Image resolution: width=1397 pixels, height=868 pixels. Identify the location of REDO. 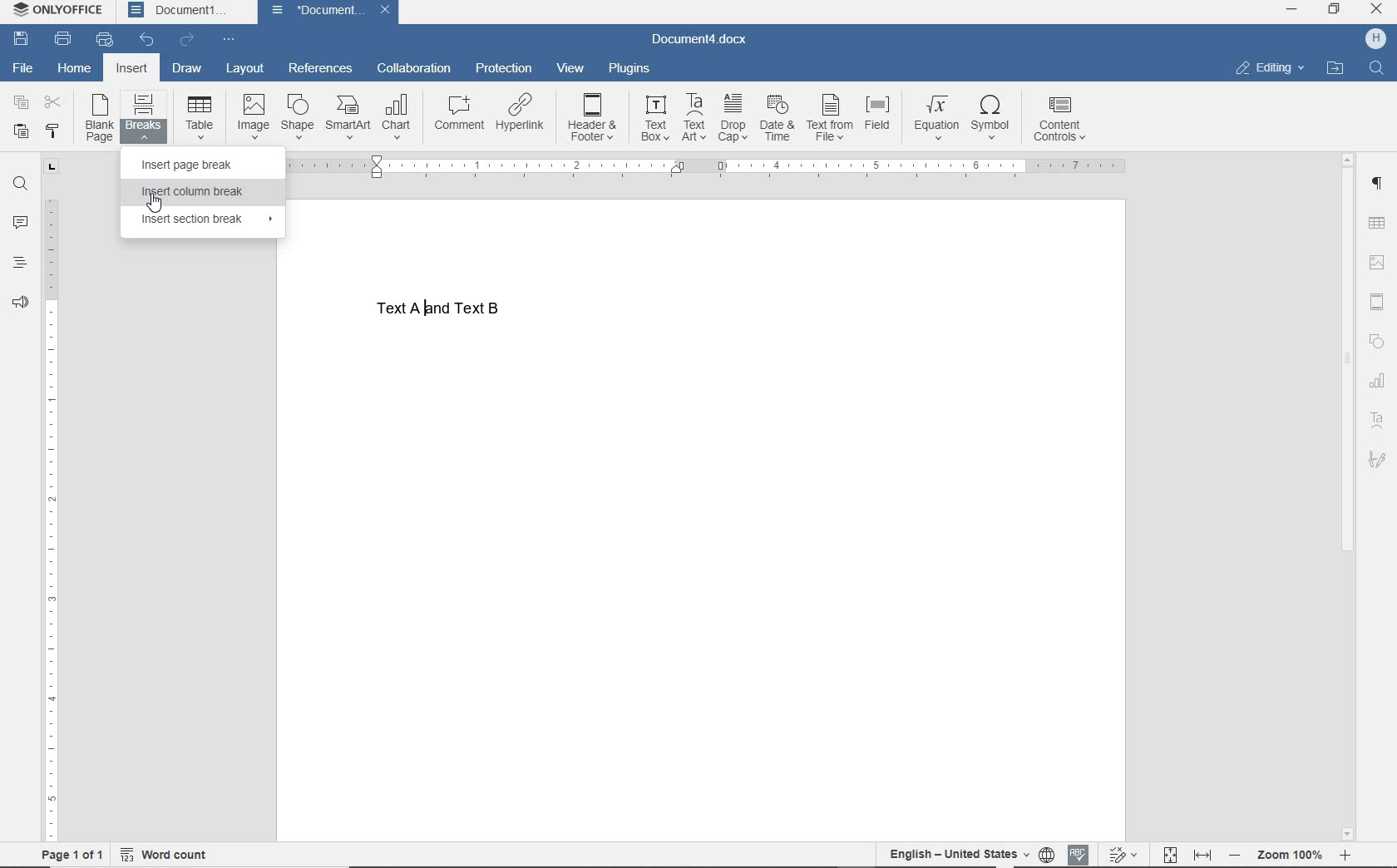
(190, 40).